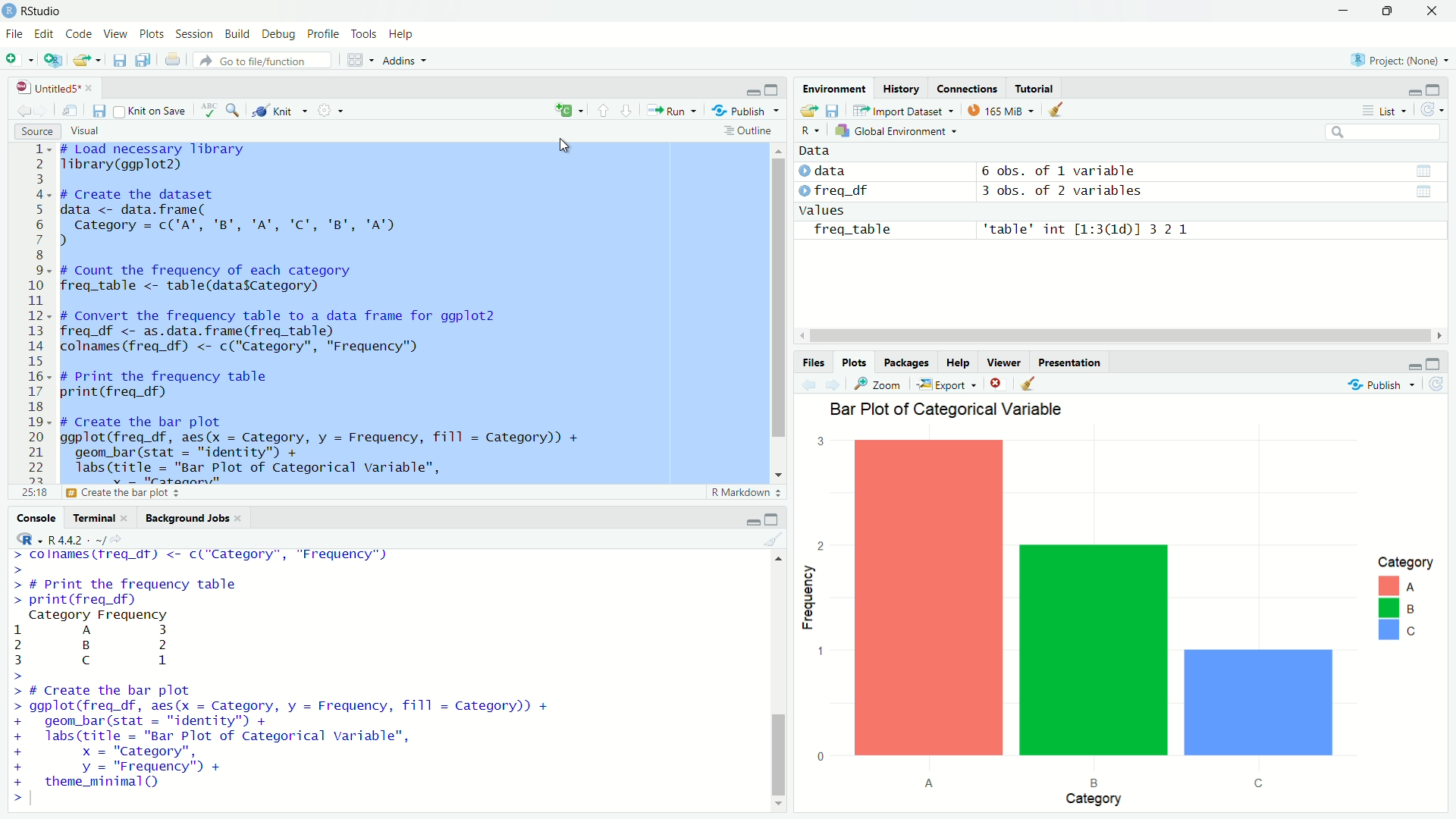 This screenshot has height=819, width=1456. I want to click on Import Dataset, so click(900, 111).